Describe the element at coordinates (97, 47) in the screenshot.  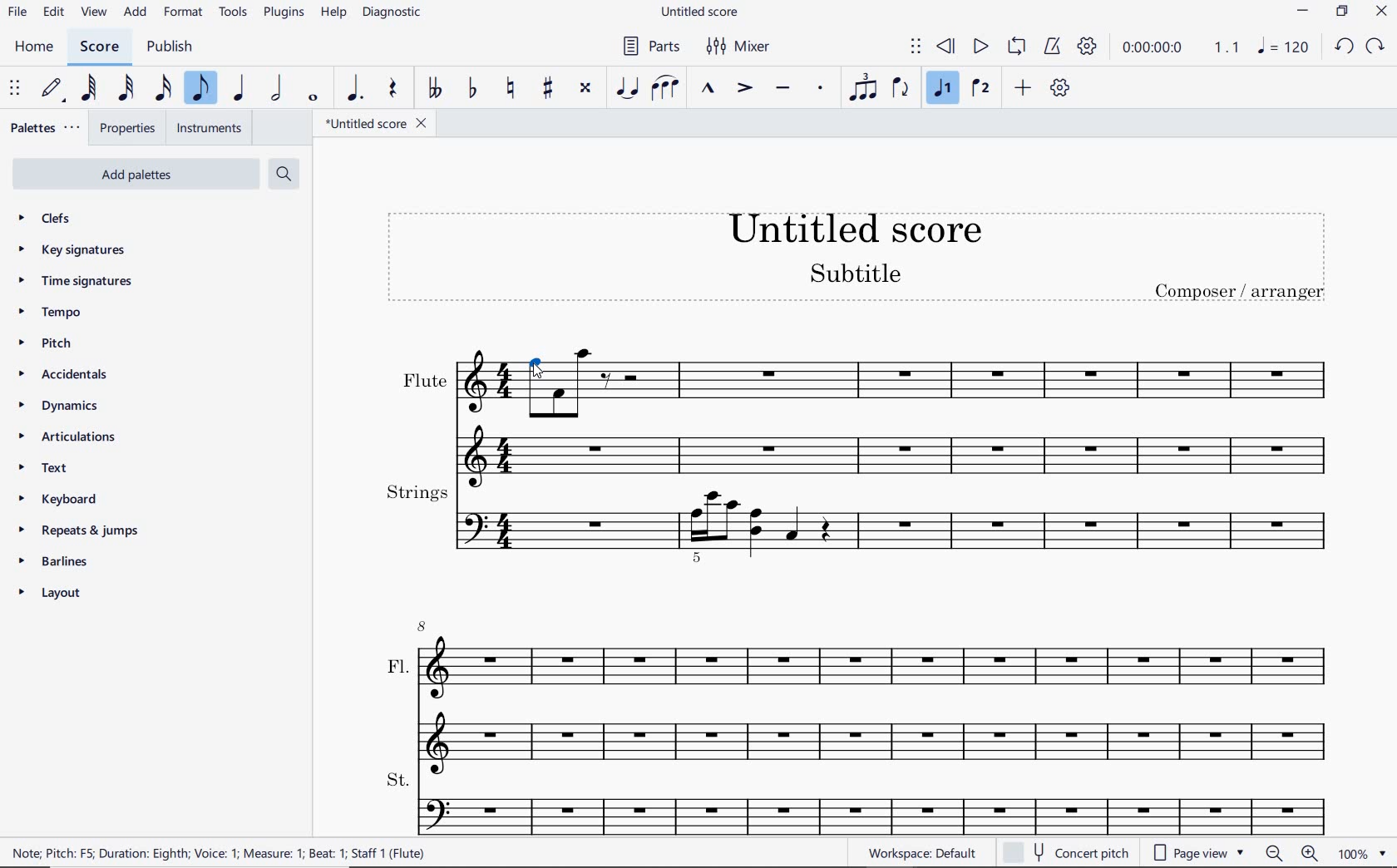
I see `score` at that location.